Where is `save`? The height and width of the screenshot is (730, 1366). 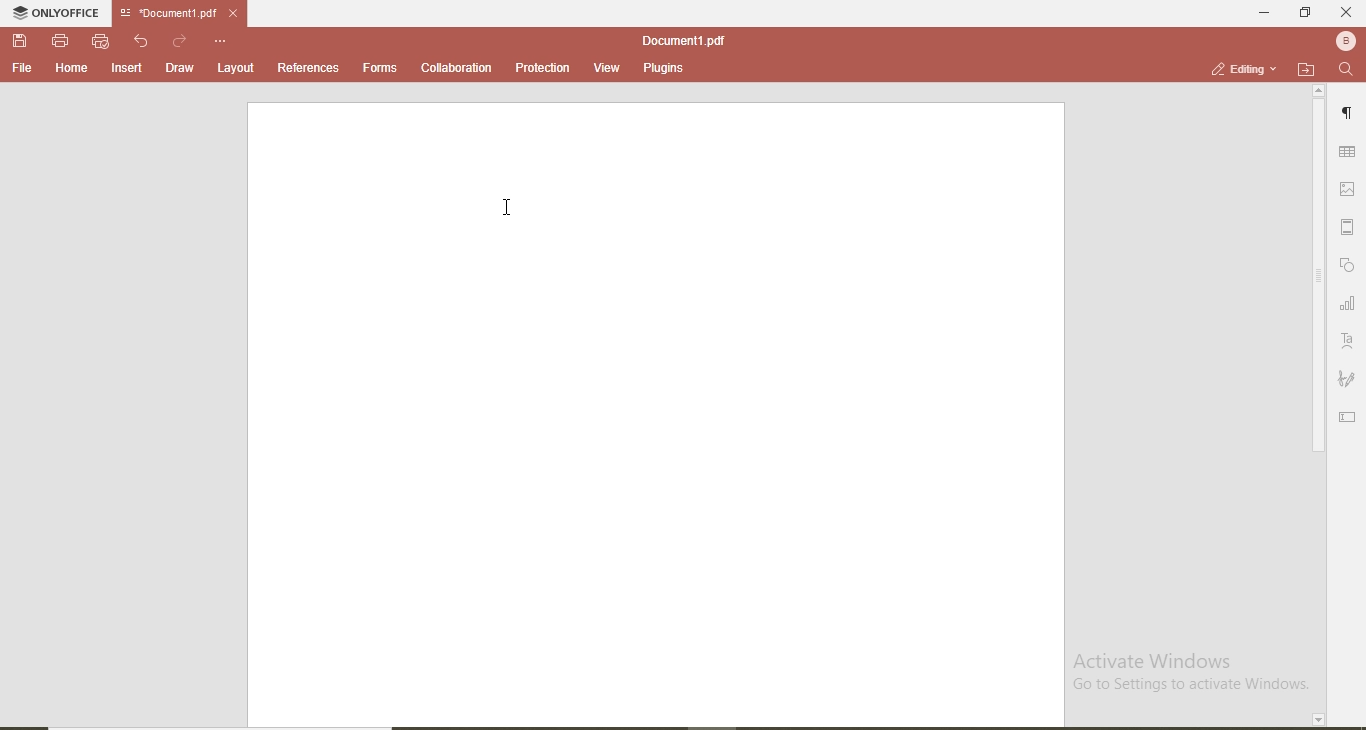
save is located at coordinates (17, 39).